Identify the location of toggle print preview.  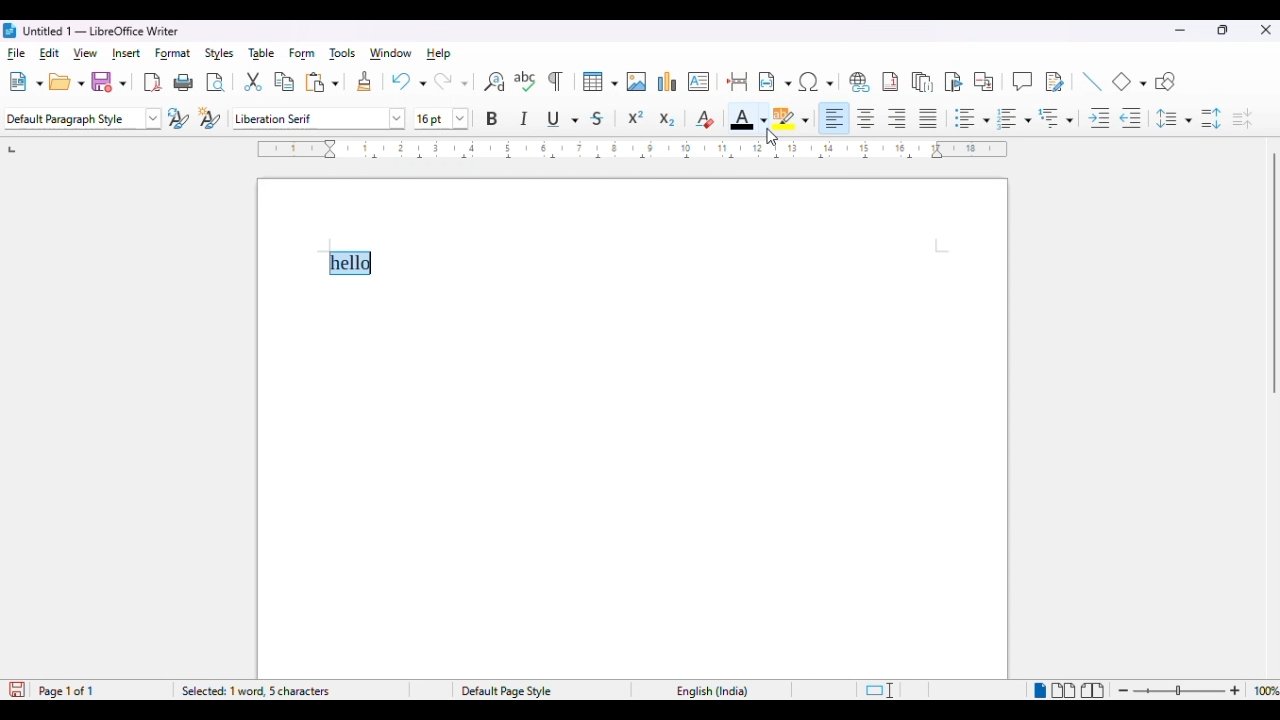
(216, 84).